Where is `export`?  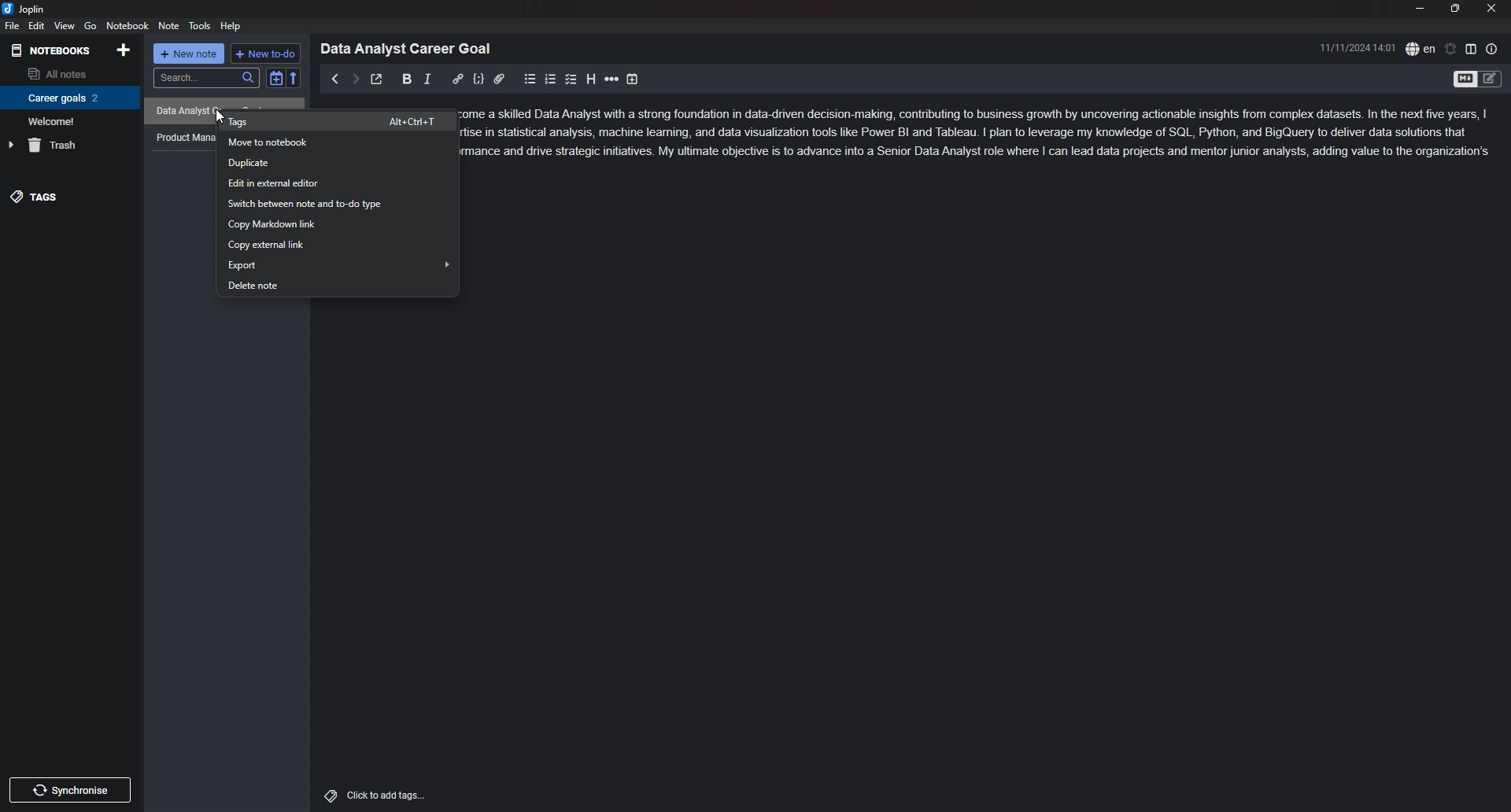 export is located at coordinates (338, 264).